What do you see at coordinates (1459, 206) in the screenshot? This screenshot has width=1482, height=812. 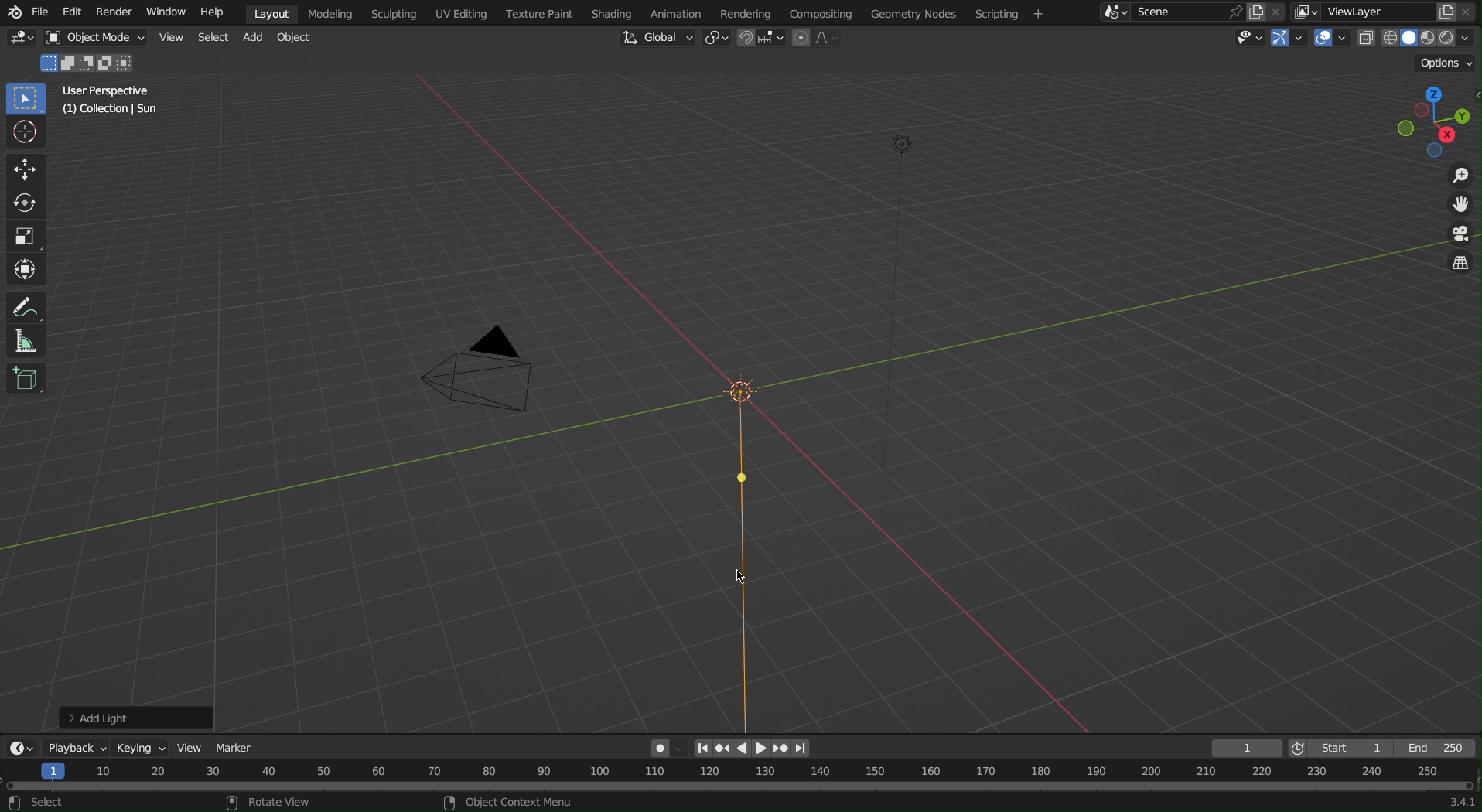 I see `Move View` at bounding box center [1459, 206].